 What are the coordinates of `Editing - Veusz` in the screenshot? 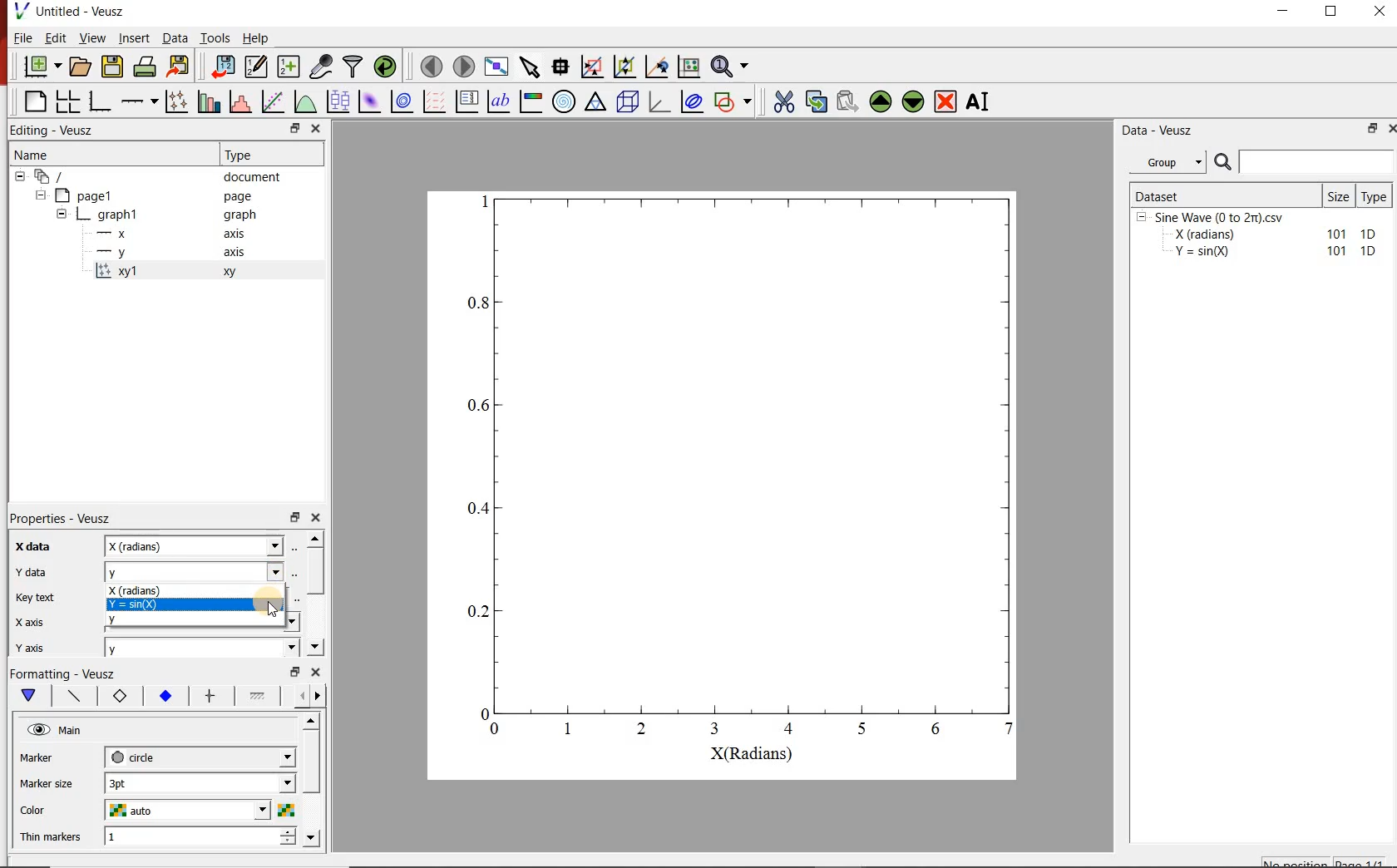 It's located at (55, 131).